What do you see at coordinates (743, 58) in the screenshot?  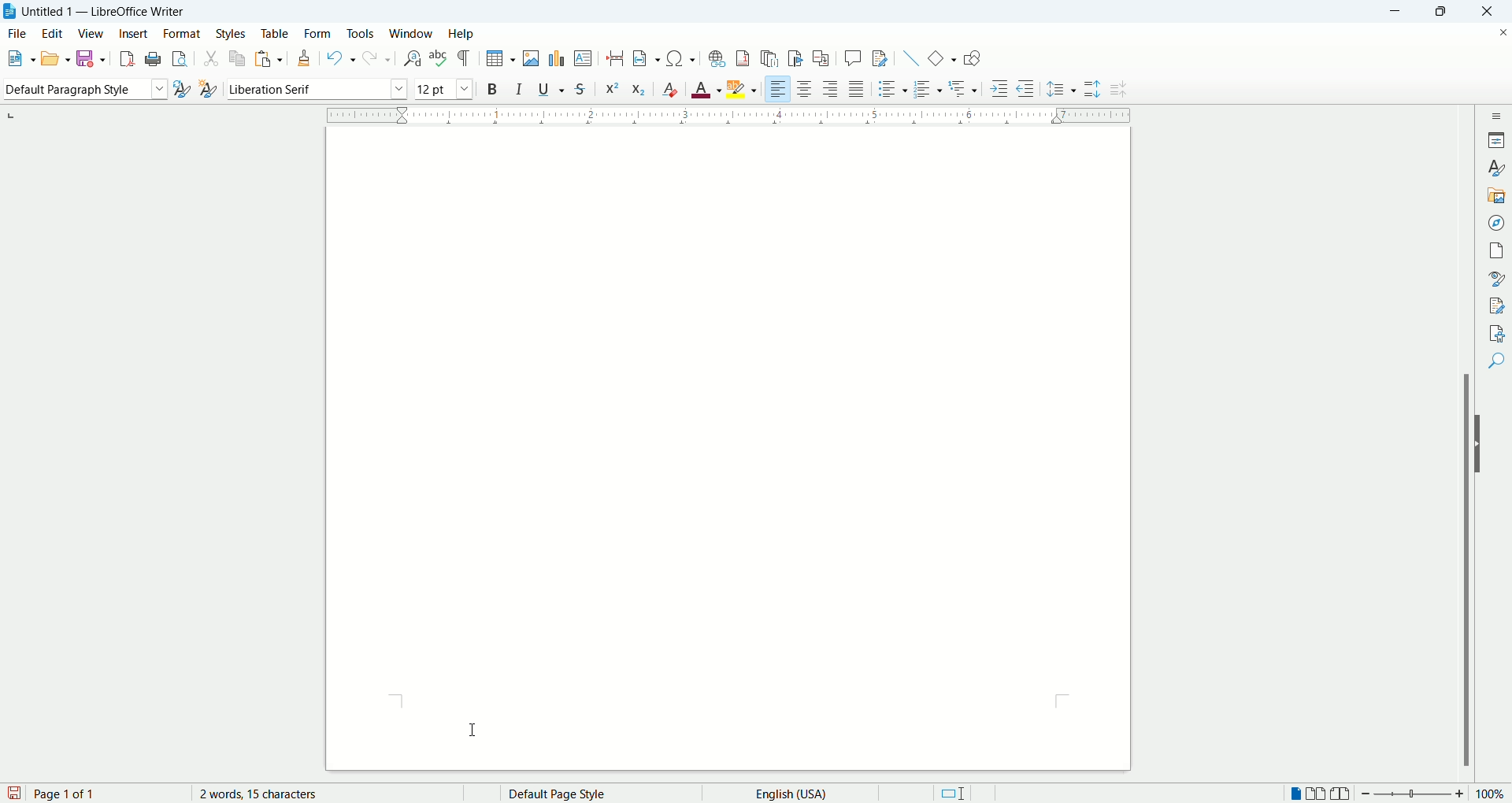 I see `insert footnote` at bounding box center [743, 58].